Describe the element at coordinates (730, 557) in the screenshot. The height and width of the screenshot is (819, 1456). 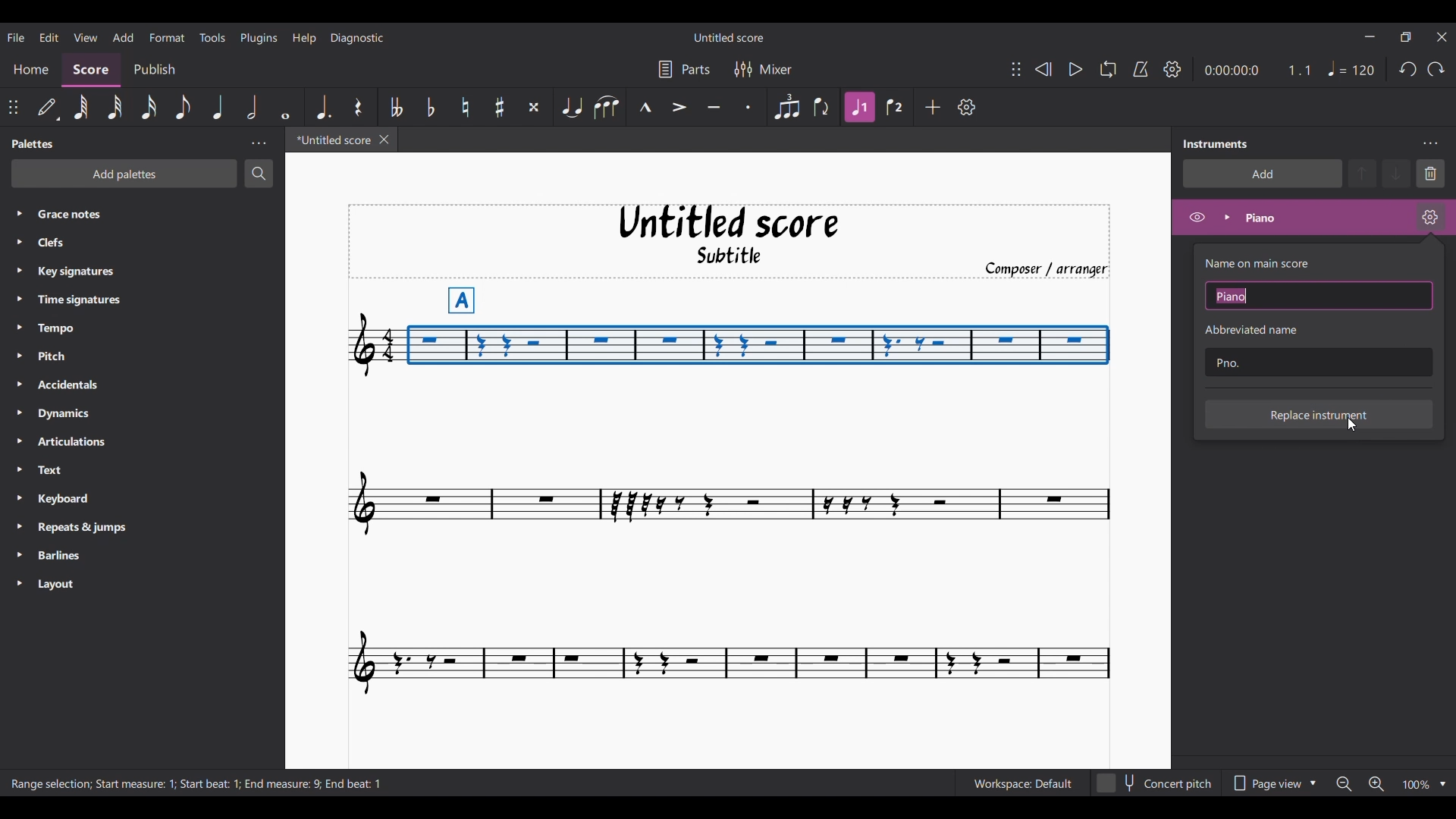
I see `Current score` at that location.